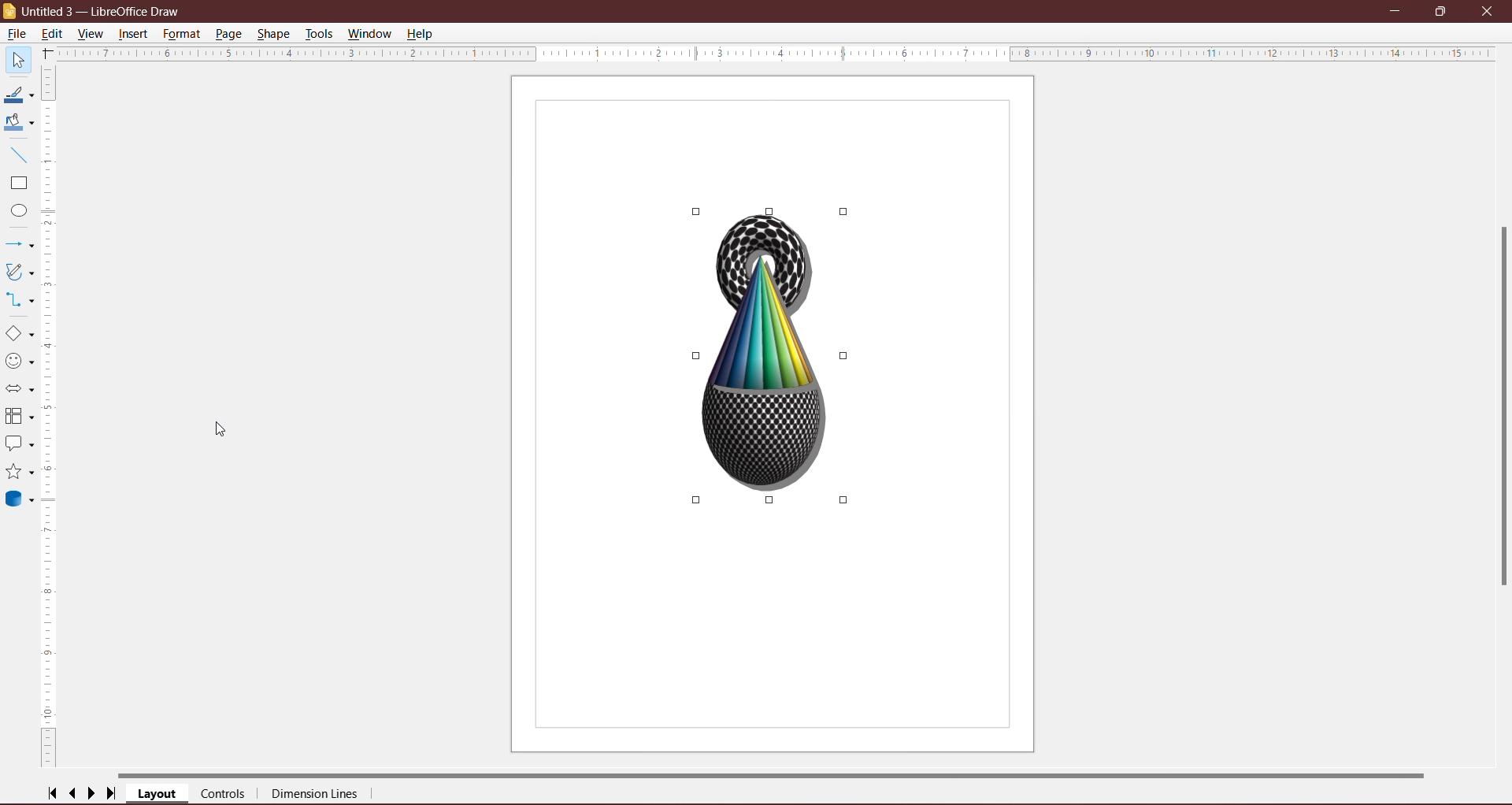  I want to click on Insert Line, so click(19, 154).